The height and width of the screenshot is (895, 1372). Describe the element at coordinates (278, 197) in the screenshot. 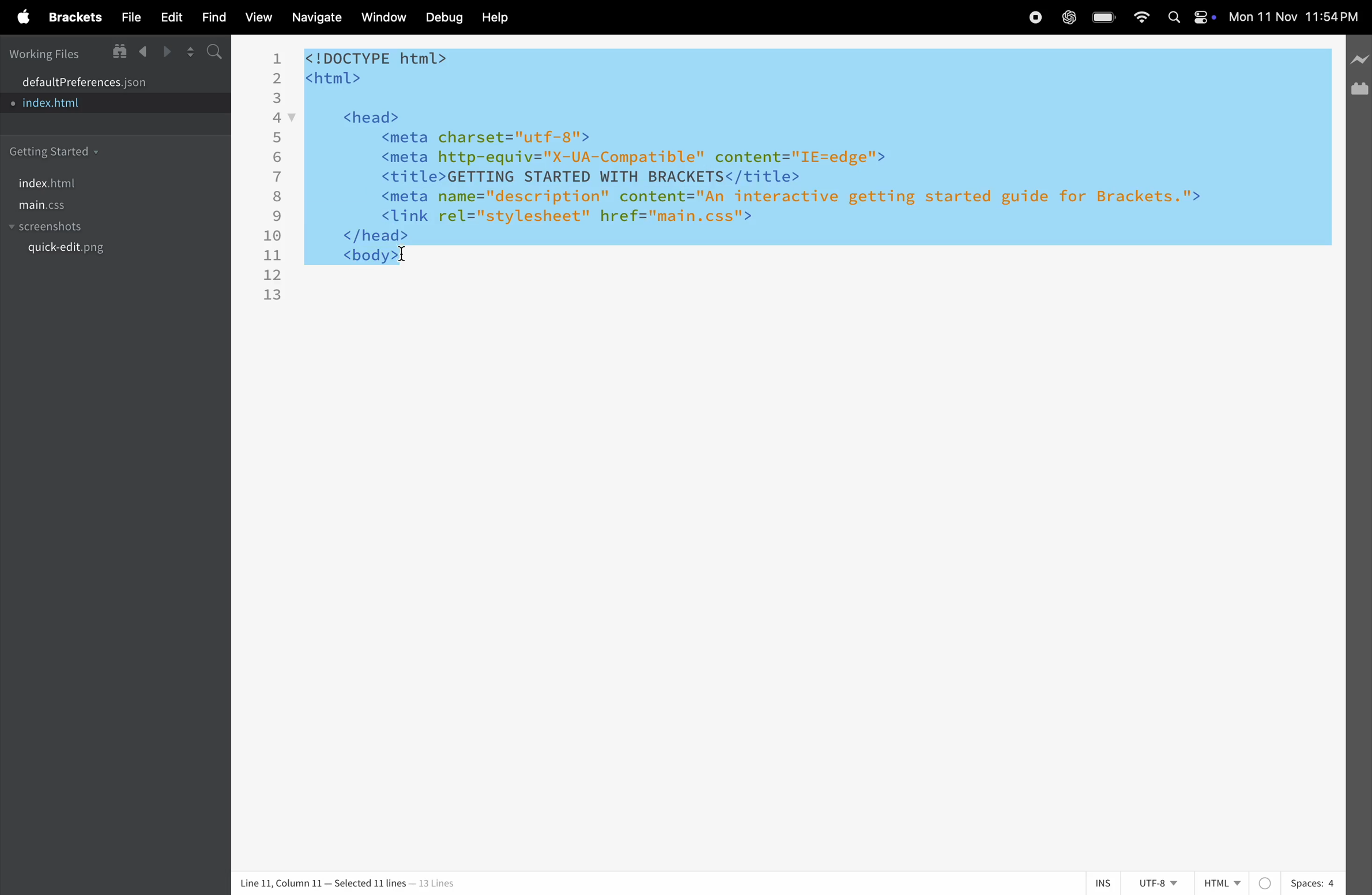

I see `8` at that location.